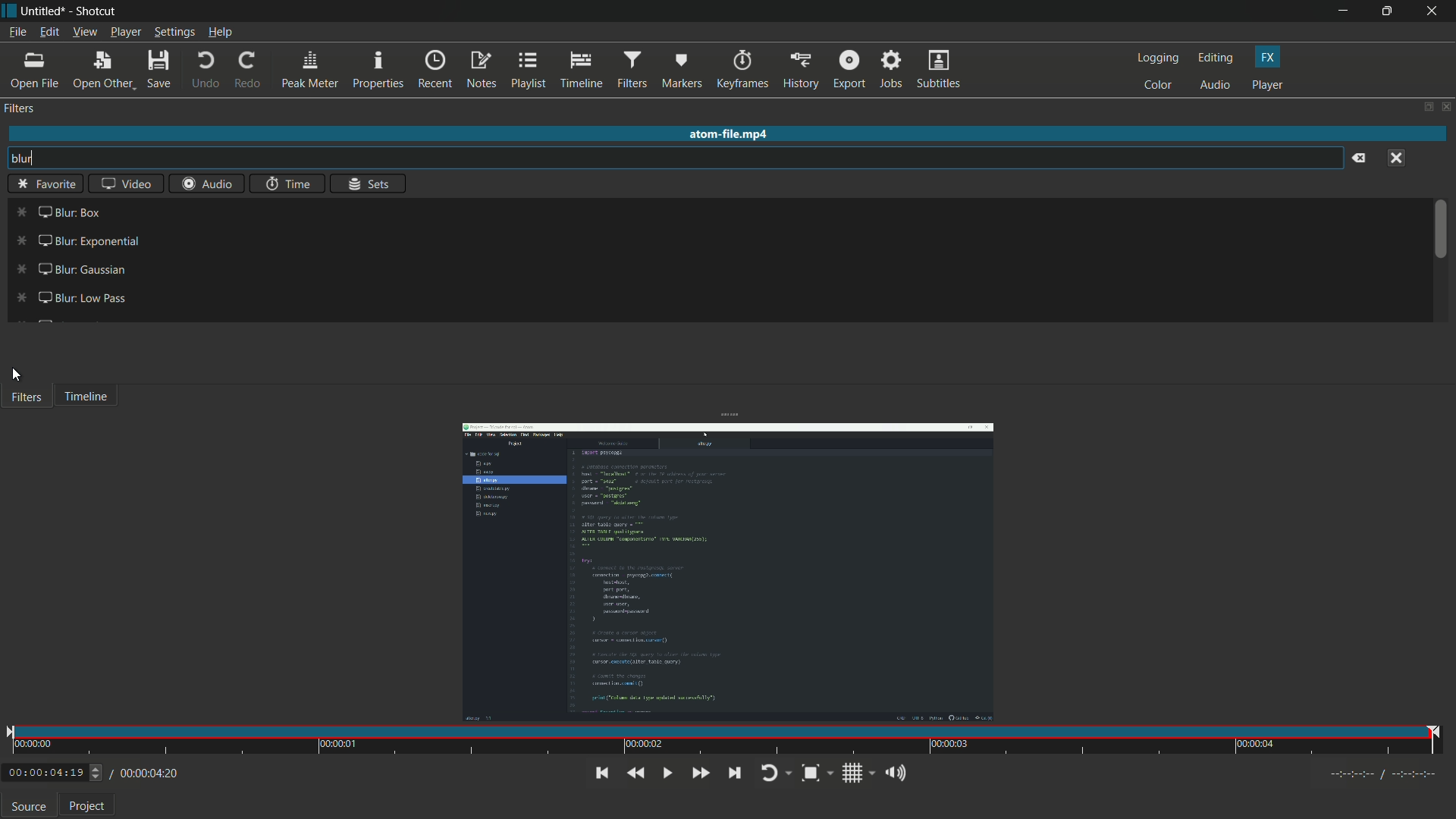  Describe the element at coordinates (817, 774) in the screenshot. I see `toggle zoom` at that location.